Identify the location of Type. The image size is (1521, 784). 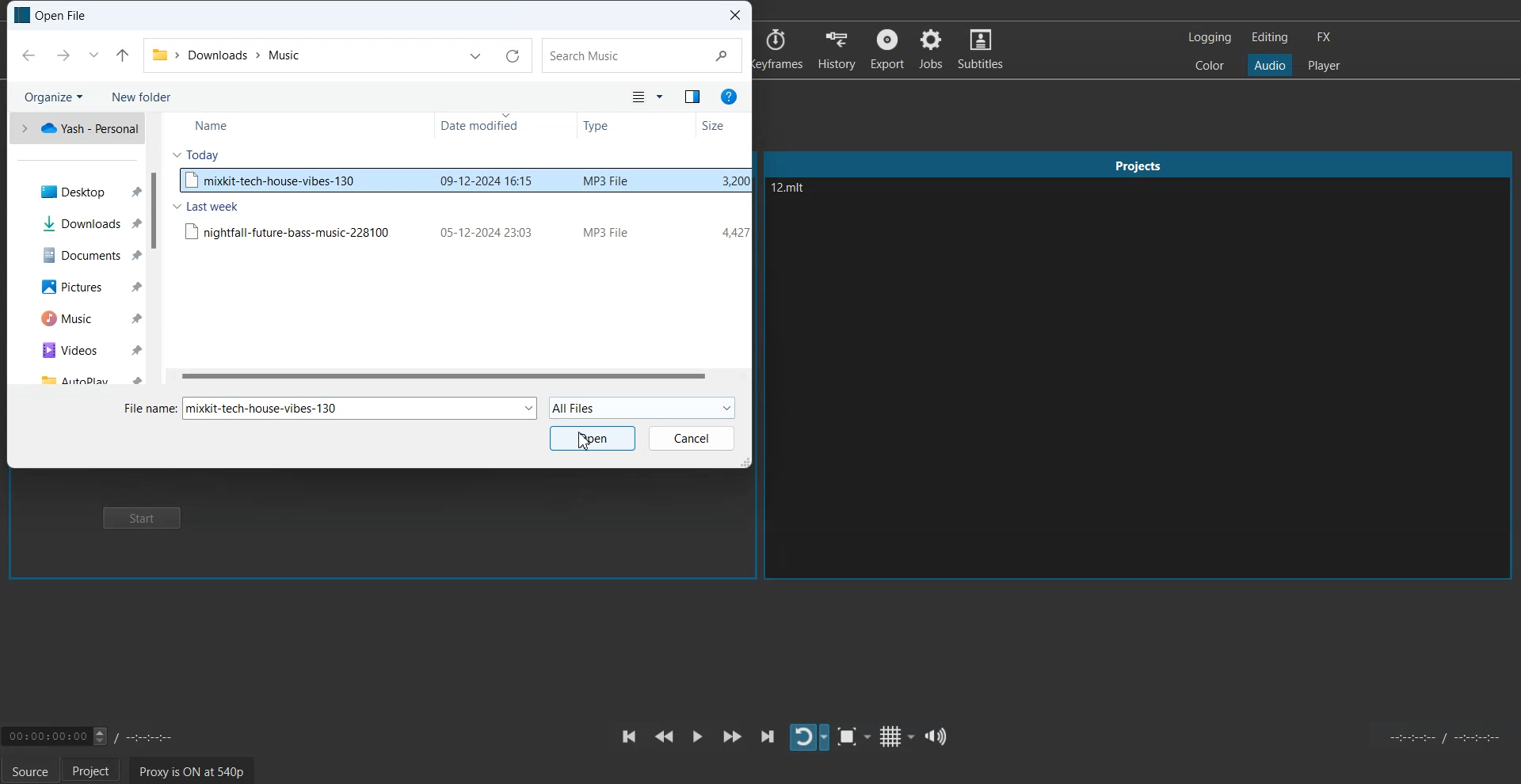
(597, 127).